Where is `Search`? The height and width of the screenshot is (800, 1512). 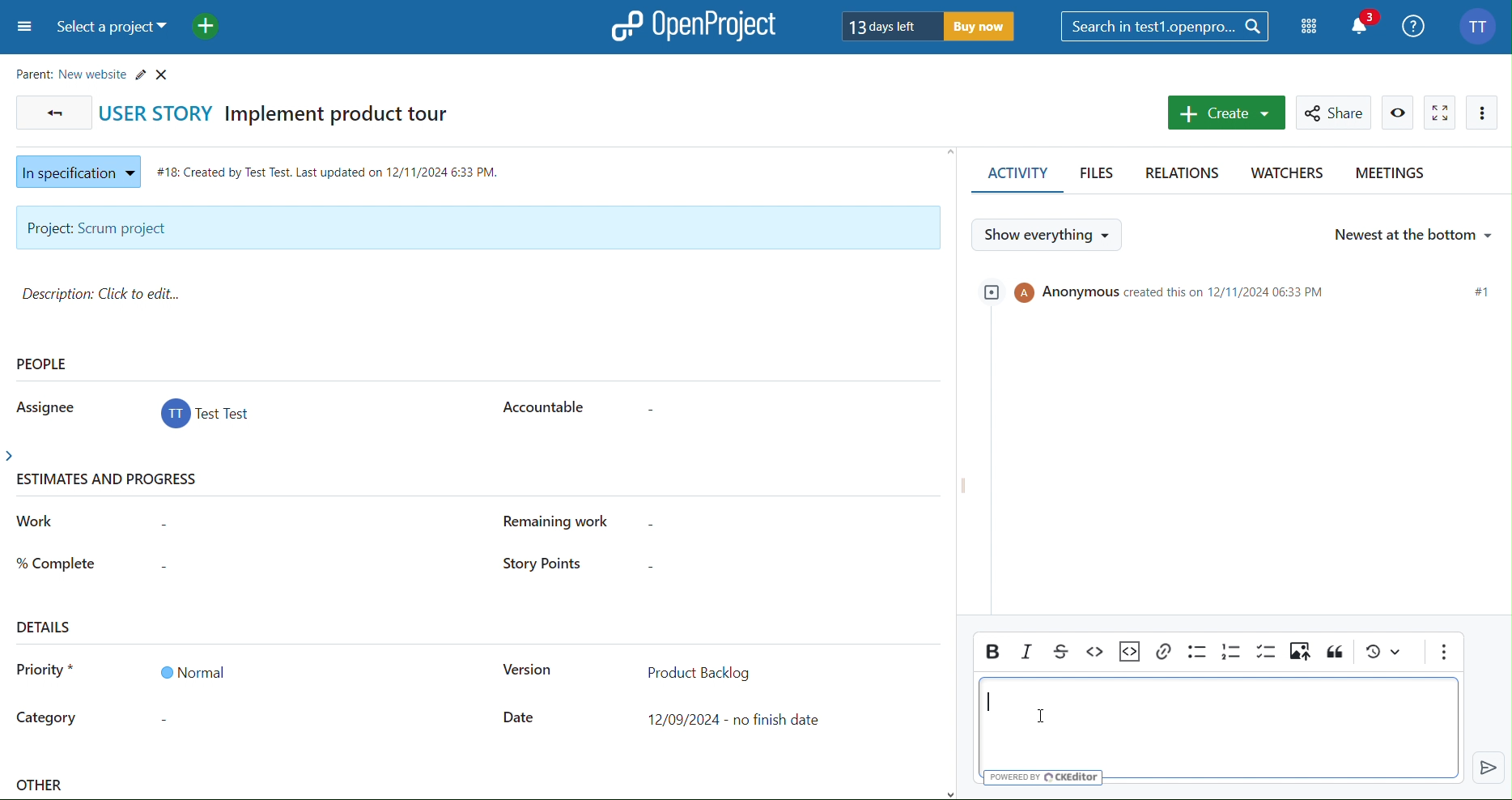
Search is located at coordinates (1166, 26).